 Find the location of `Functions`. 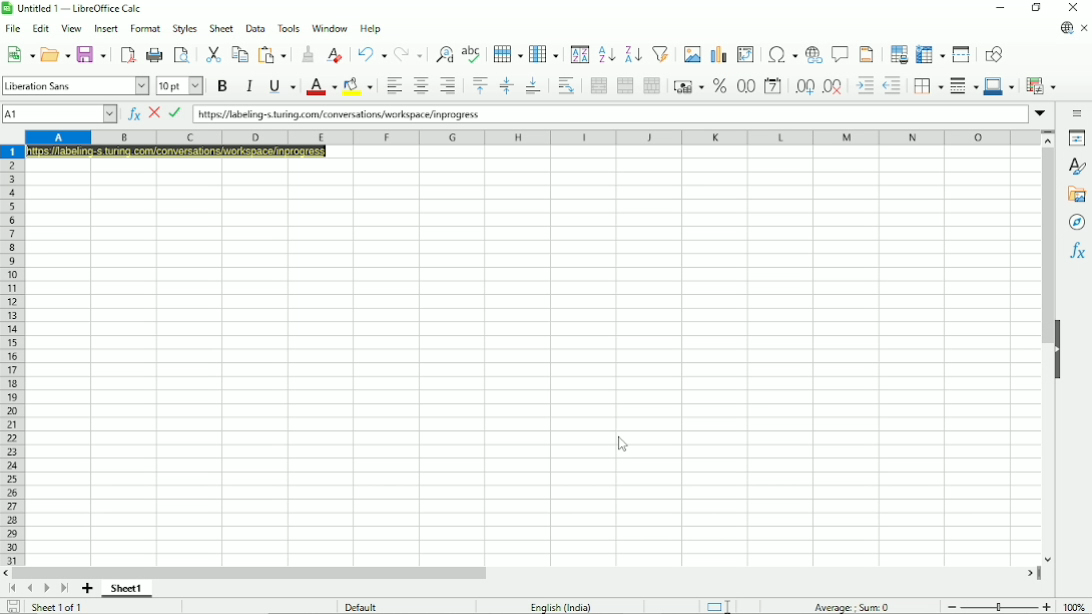

Functions is located at coordinates (1077, 251).